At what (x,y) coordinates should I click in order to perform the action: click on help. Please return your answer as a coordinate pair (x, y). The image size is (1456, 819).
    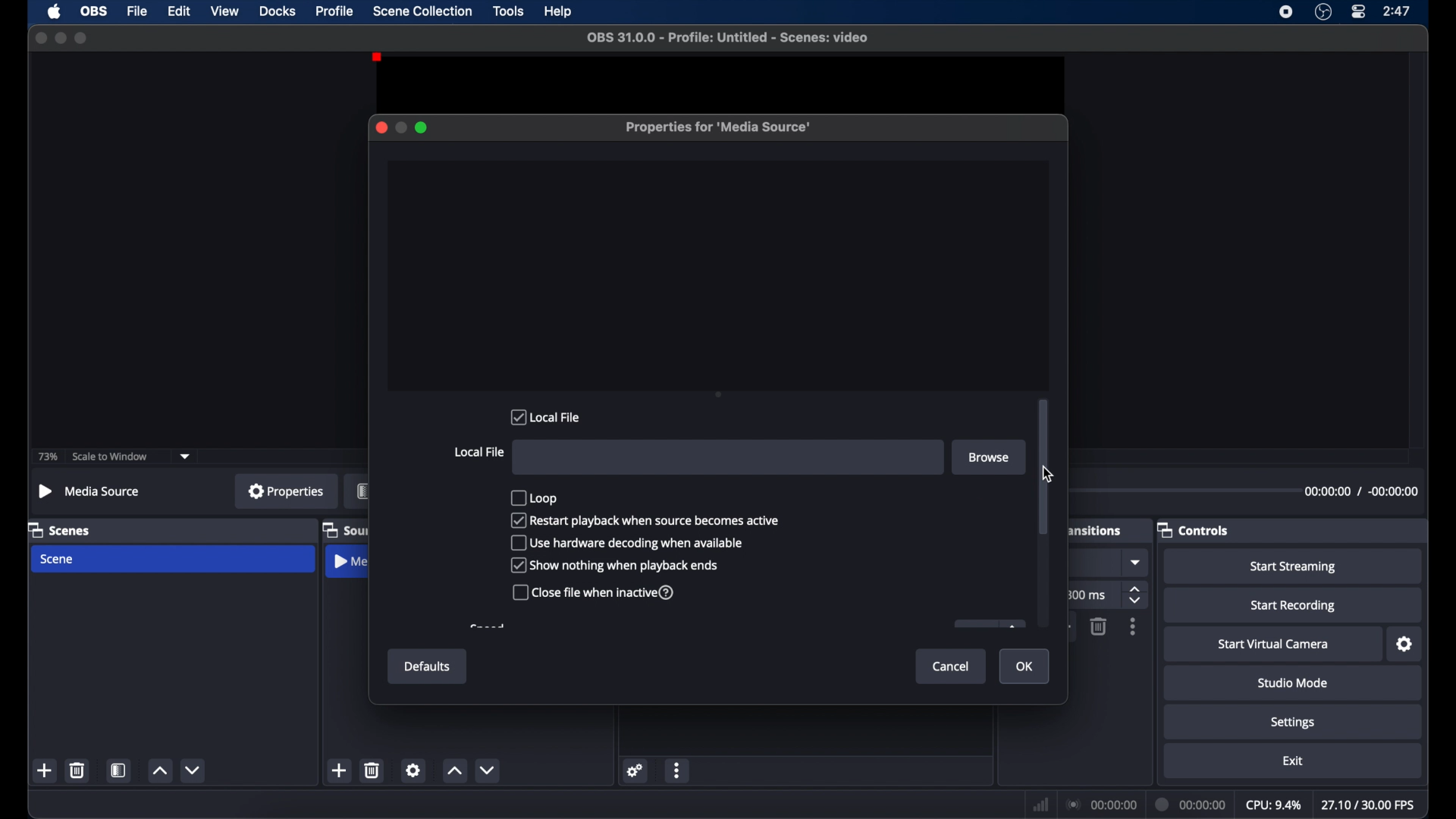
    Looking at the image, I should click on (559, 12).